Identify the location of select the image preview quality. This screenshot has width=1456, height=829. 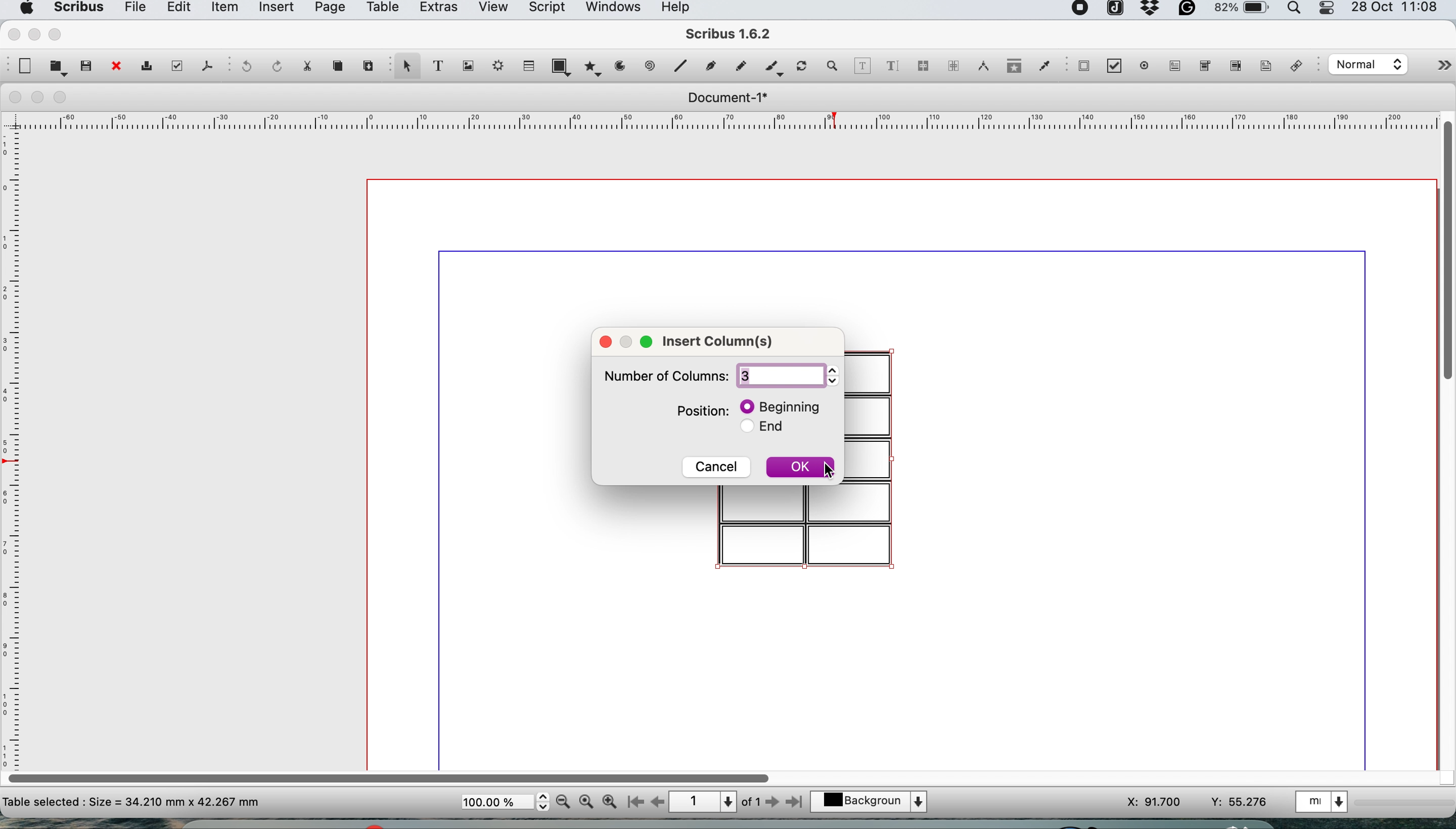
(1365, 64).